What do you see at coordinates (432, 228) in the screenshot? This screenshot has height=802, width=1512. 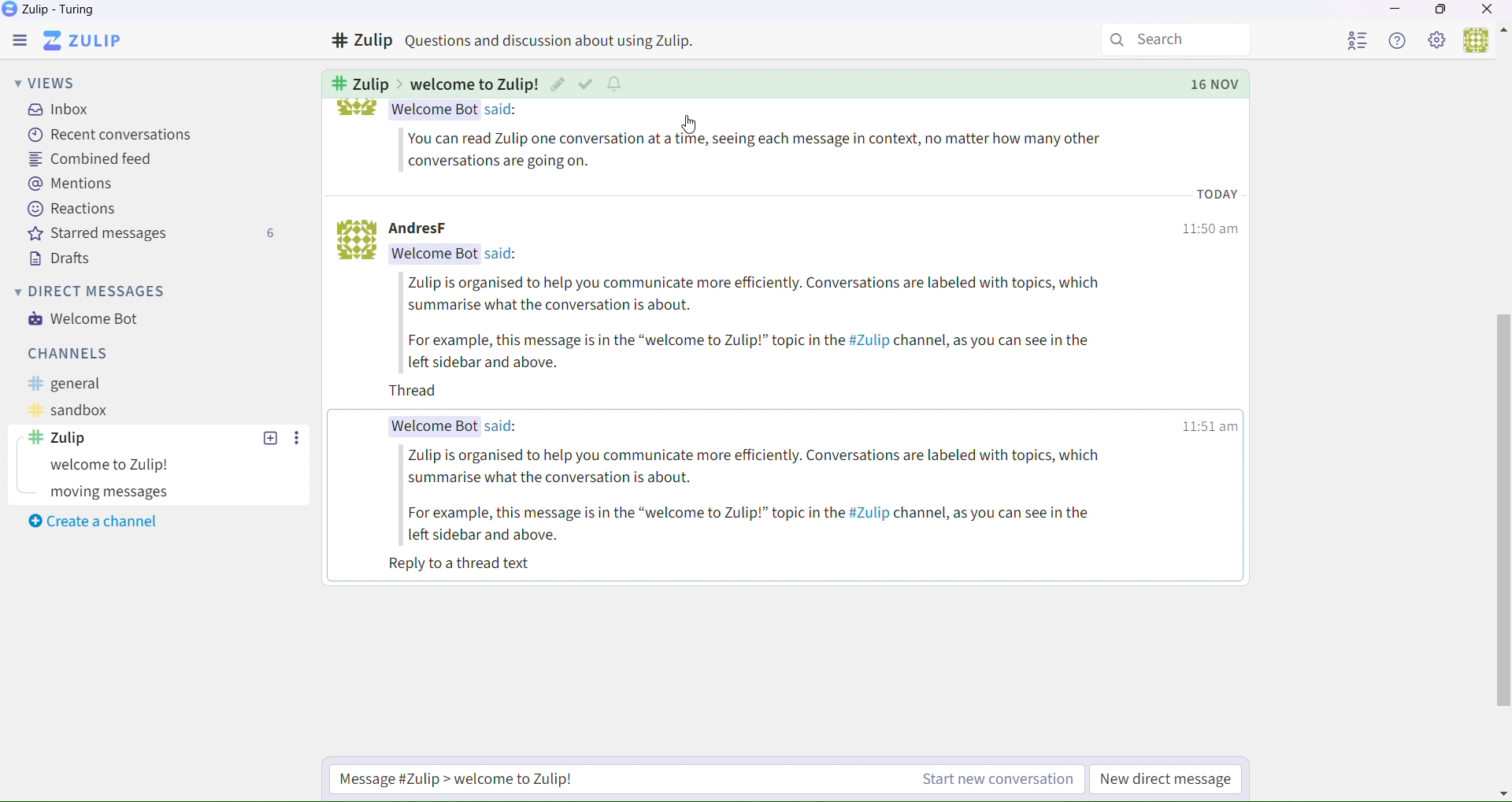 I see `AndressF` at bounding box center [432, 228].